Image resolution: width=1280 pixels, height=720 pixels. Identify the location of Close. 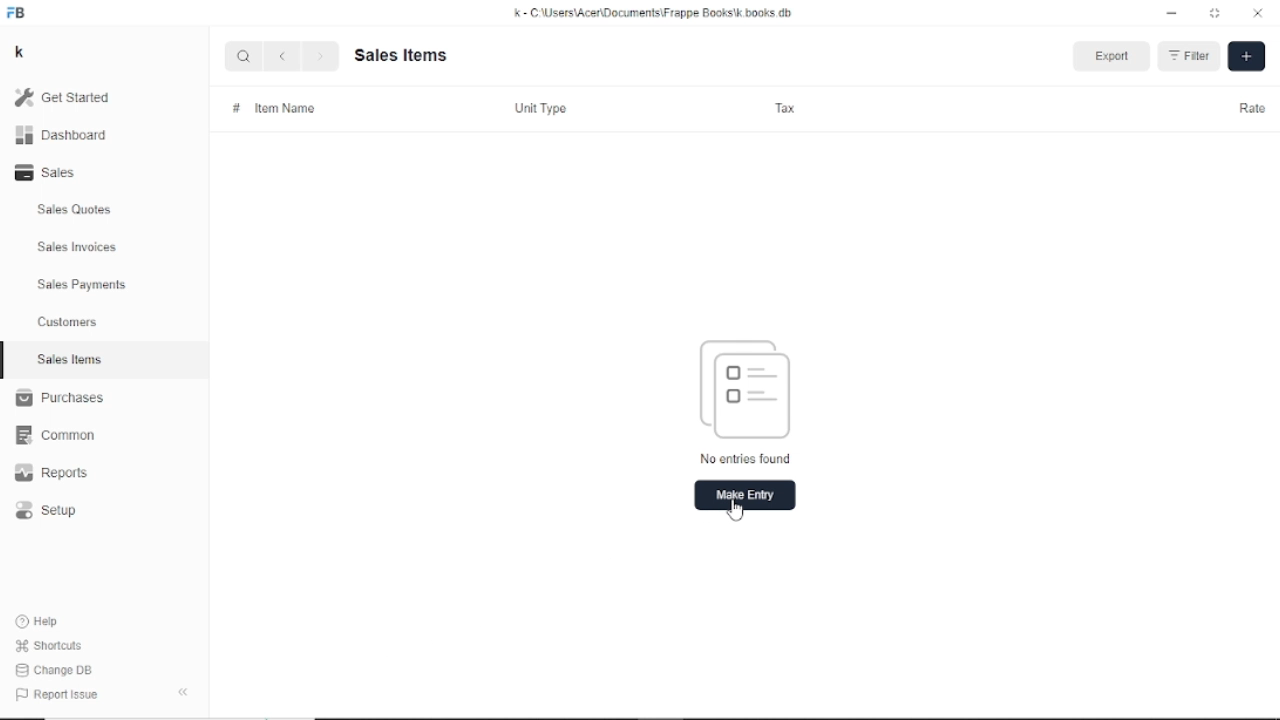
(1258, 13).